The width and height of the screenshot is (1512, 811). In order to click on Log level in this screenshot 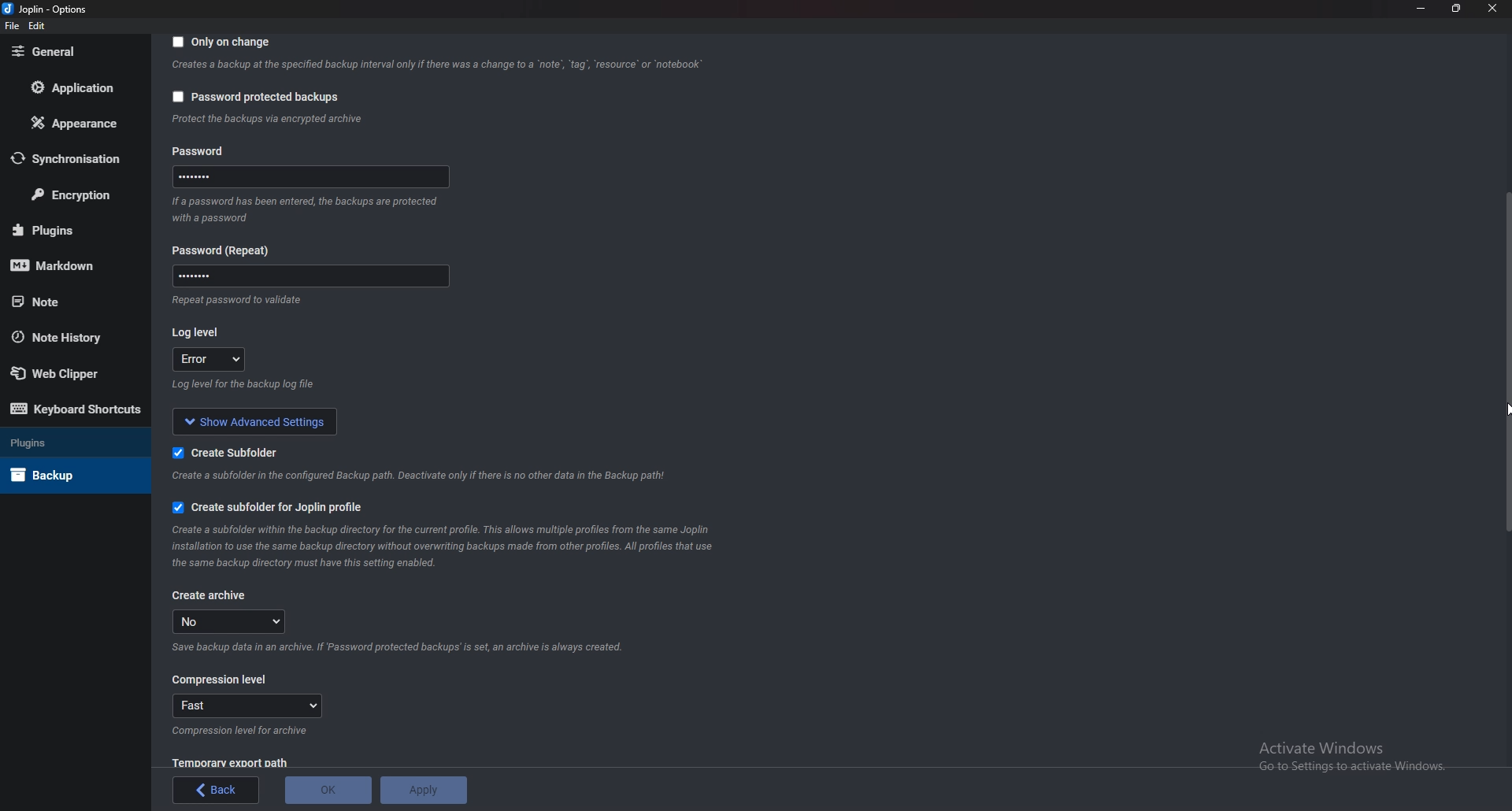, I will do `click(198, 330)`.